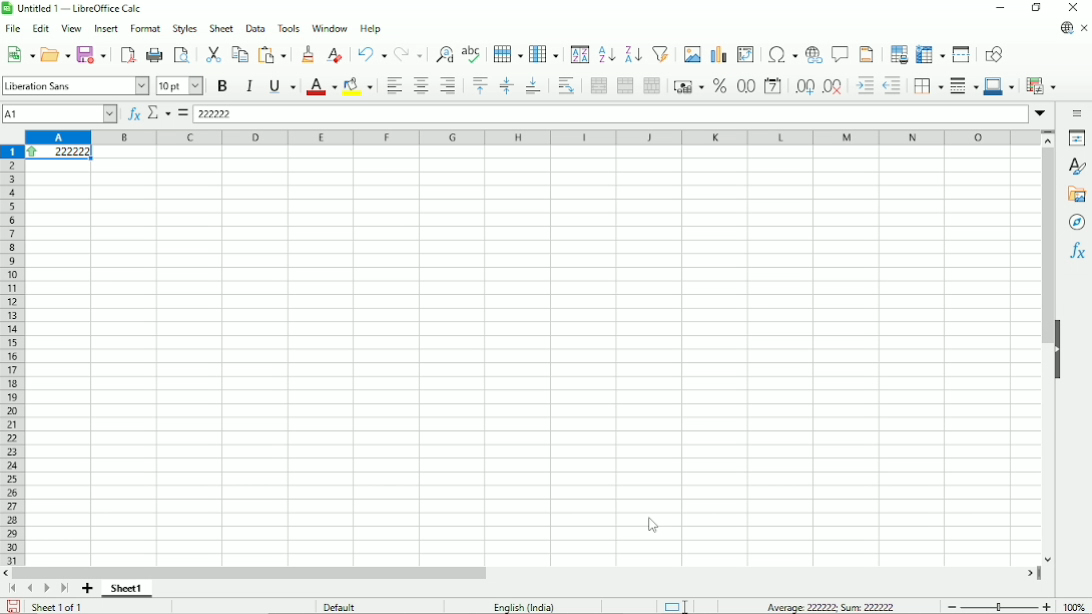 The image size is (1092, 614). I want to click on Properties, so click(1077, 139).